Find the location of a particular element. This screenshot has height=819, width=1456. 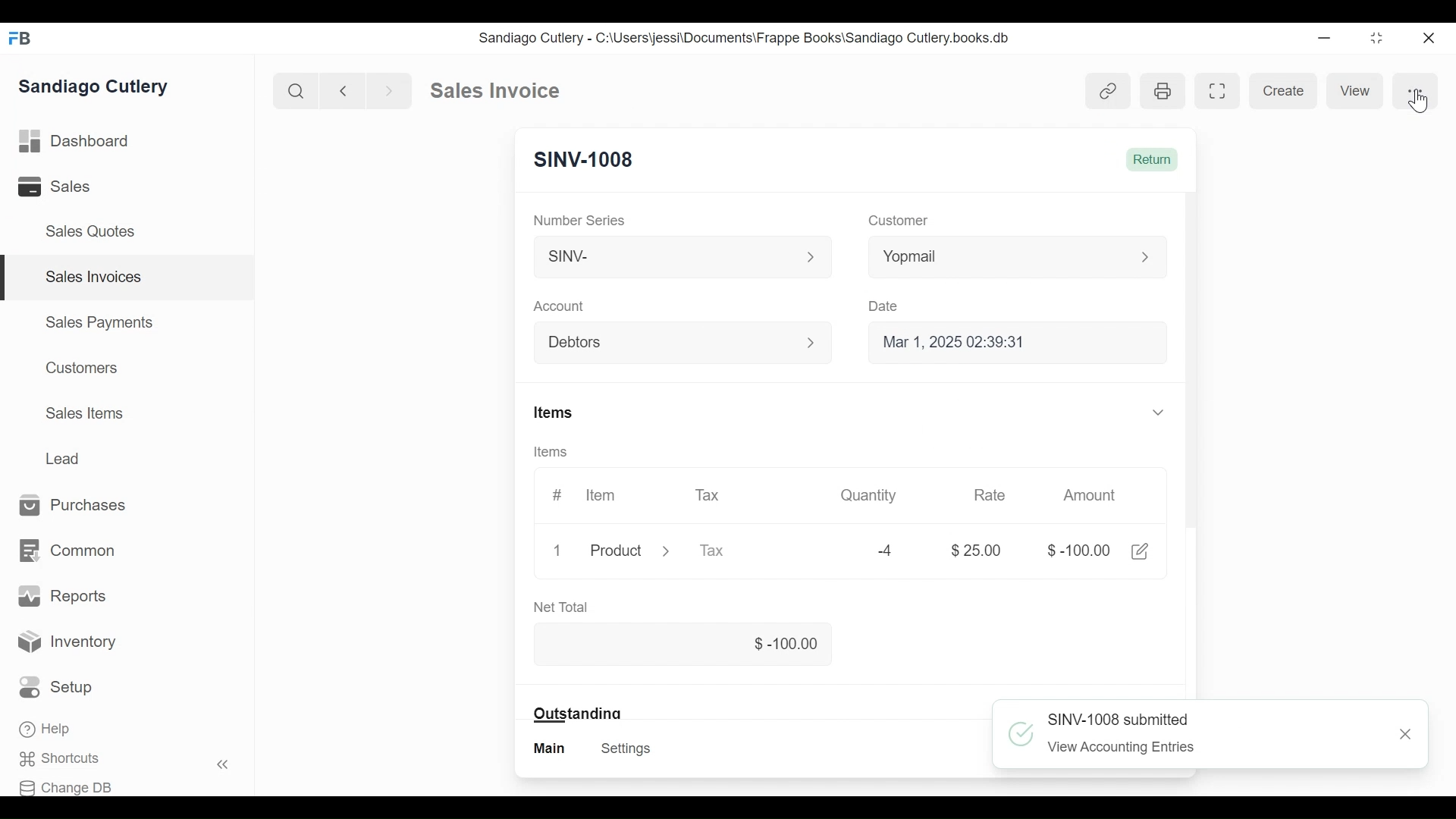

Shortcuts is located at coordinates (58, 758).